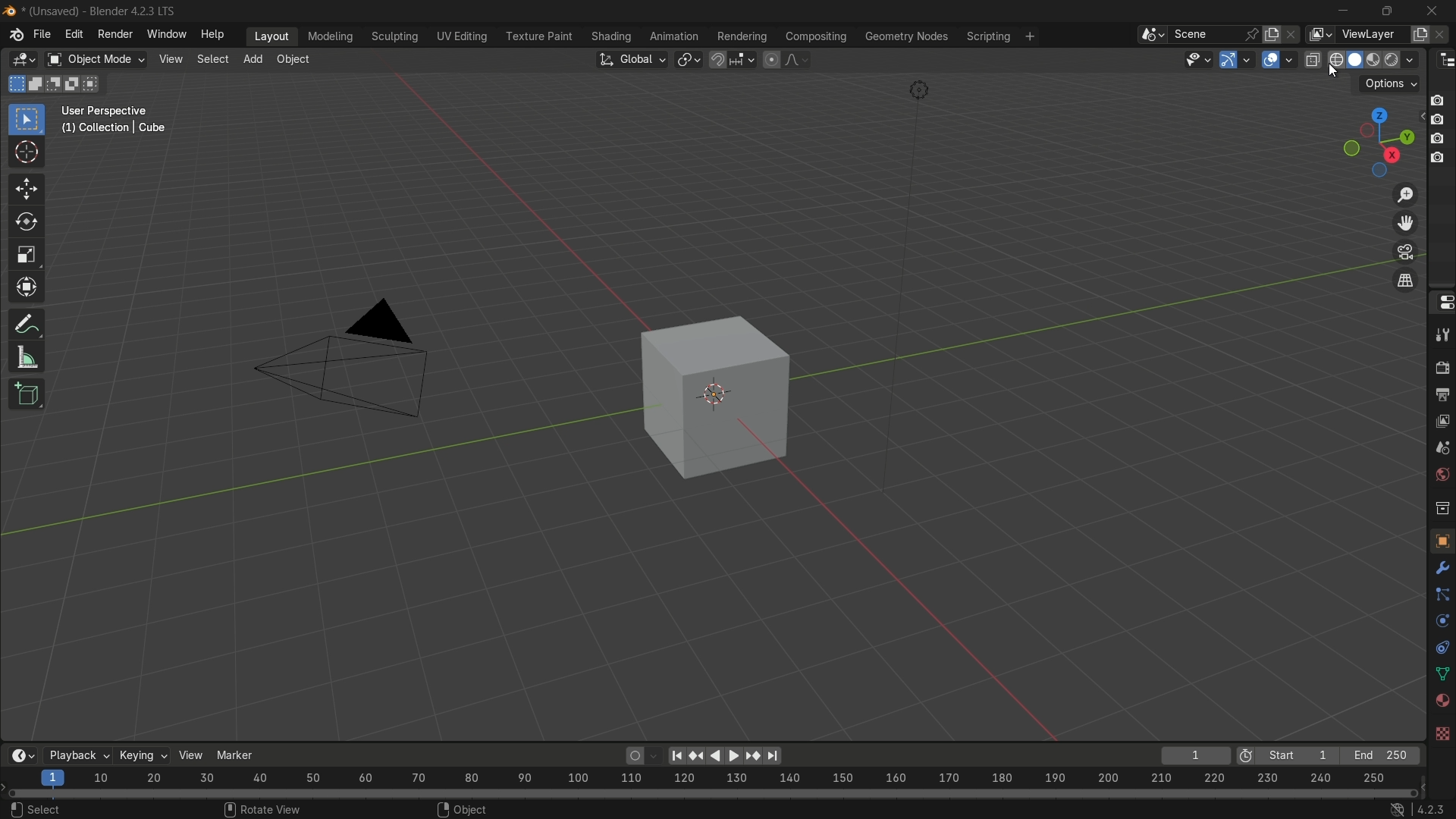 This screenshot has height=819, width=1456. I want to click on transform, so click(31, 288).